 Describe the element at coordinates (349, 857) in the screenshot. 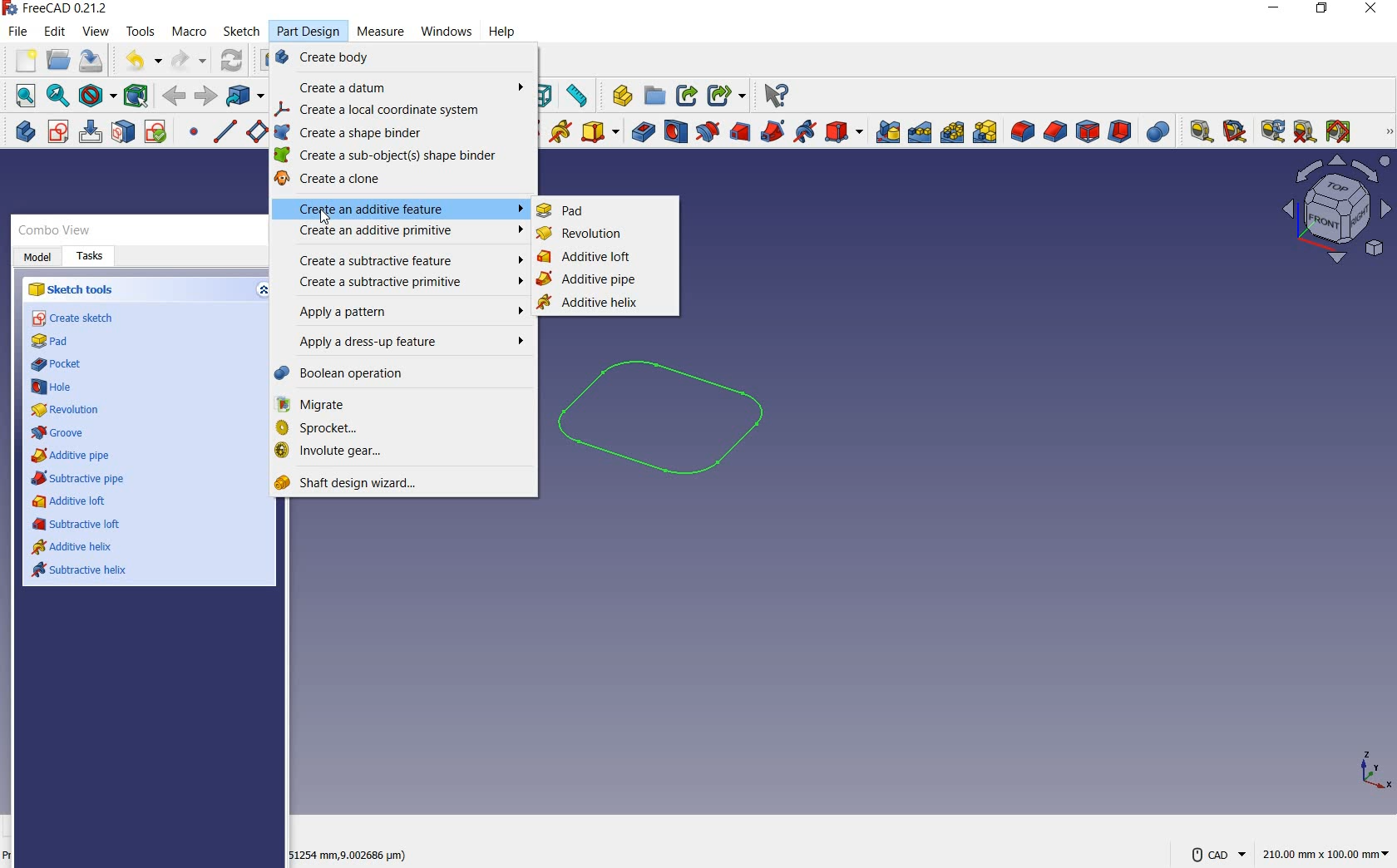

I see `51254 mm, (9.002686 microm)` at that location.